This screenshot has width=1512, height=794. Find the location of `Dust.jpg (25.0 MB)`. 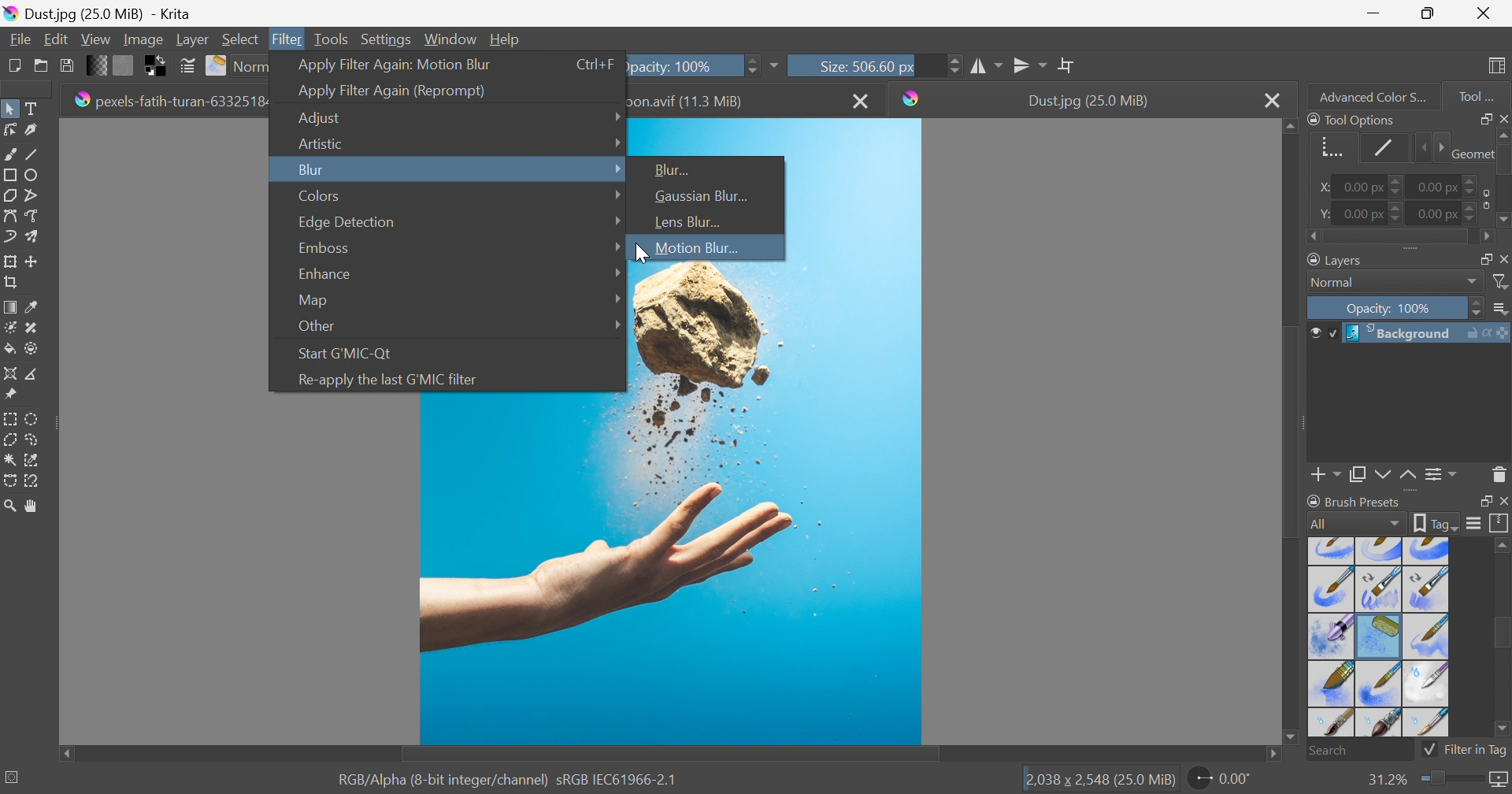

Dust.jpg (25.0 MB) is located at coordinates (1088, 101).